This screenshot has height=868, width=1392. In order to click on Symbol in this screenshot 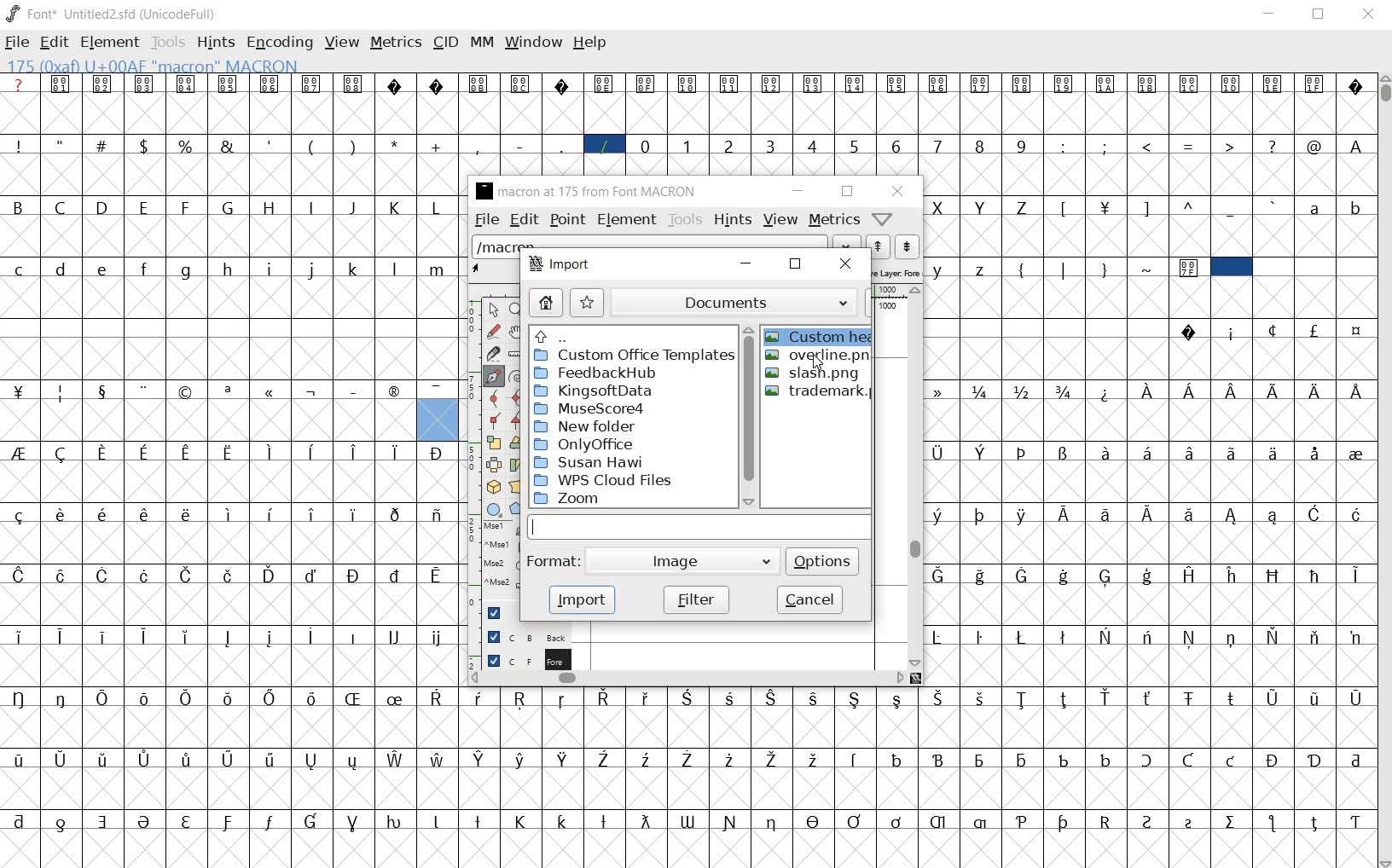, I will do `click(149, 636)`.